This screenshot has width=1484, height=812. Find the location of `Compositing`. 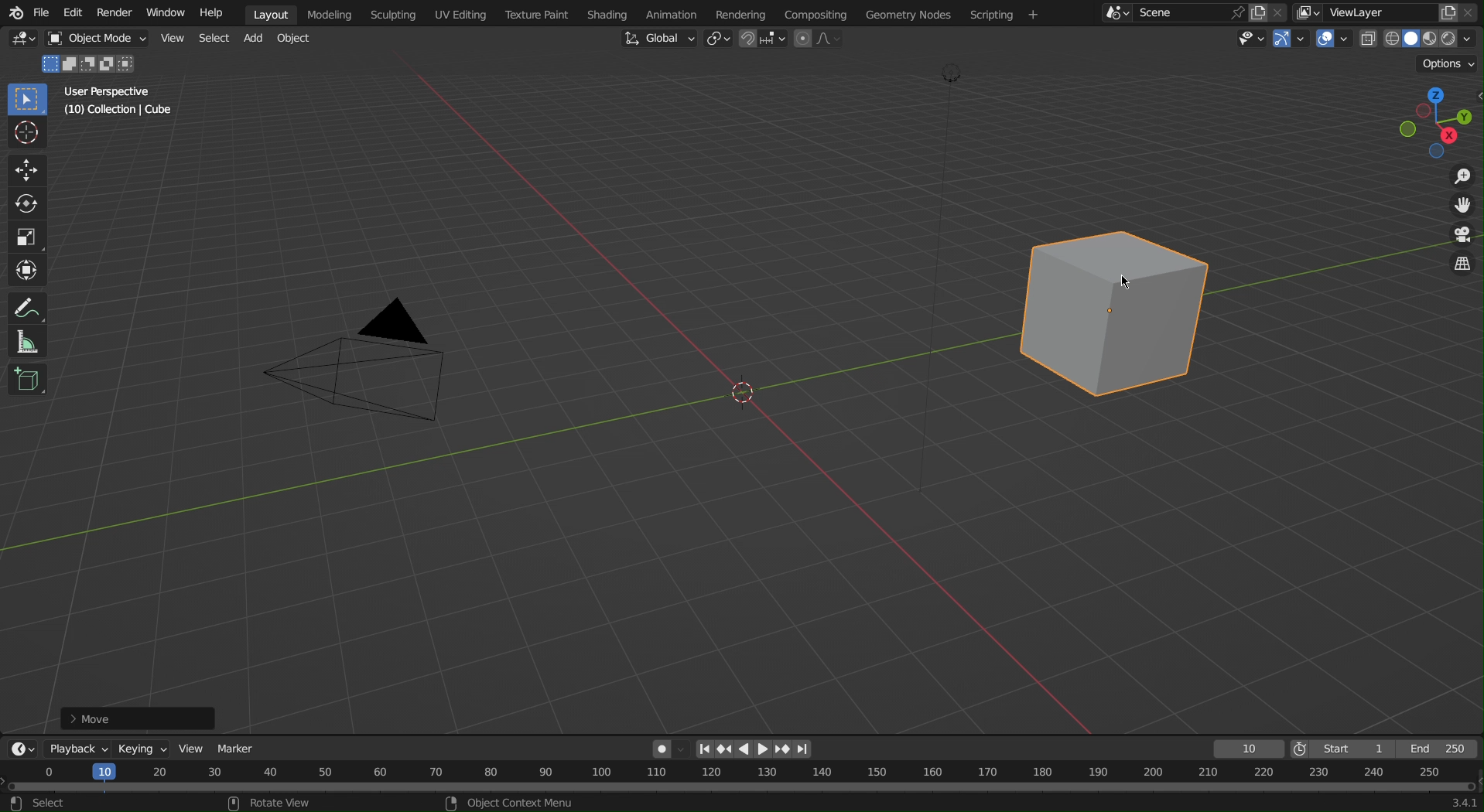

Compositing is located at coordinates (823, 12).